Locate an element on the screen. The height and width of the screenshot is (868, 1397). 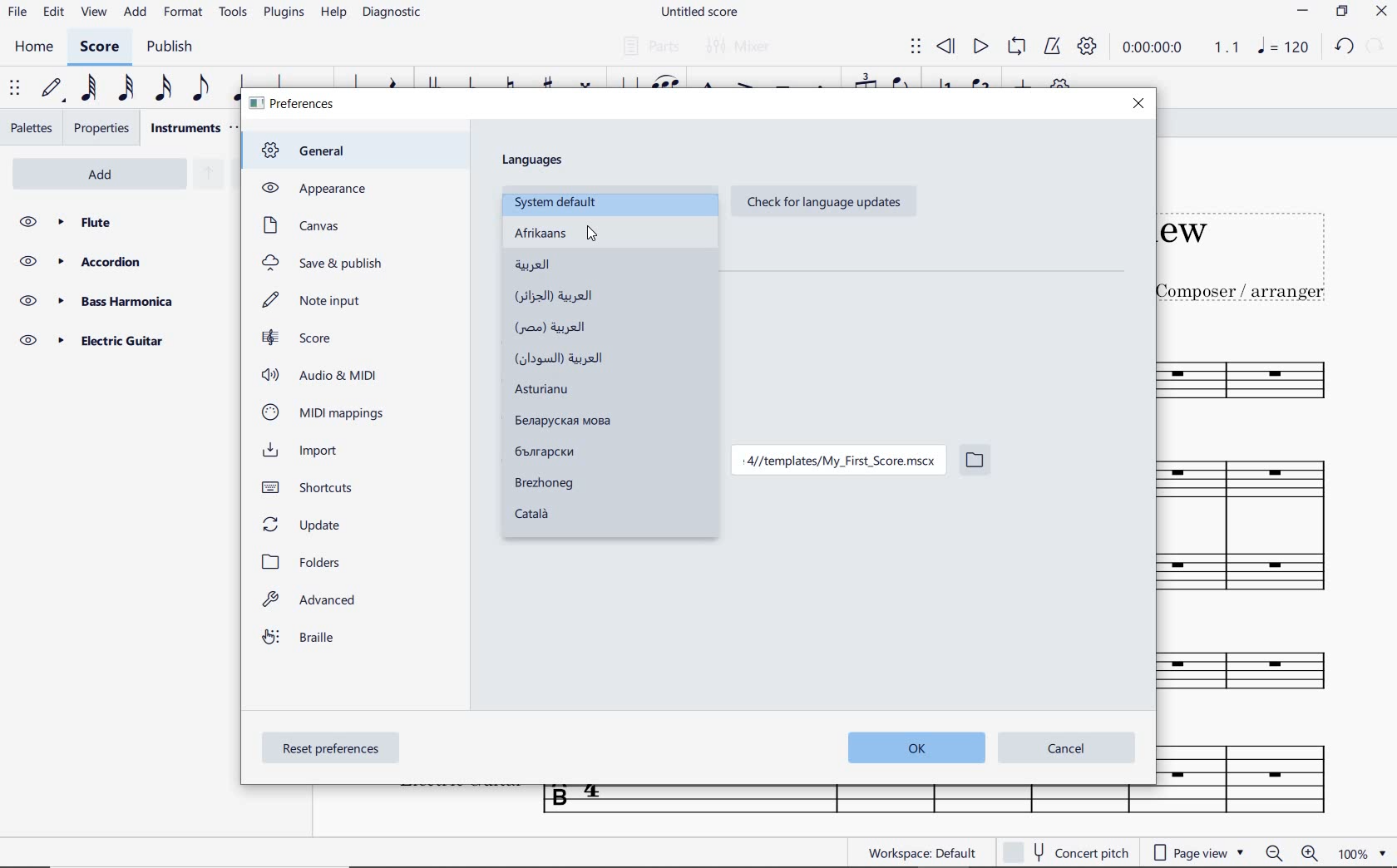
diagnostic is located at coordinates (396, 15).